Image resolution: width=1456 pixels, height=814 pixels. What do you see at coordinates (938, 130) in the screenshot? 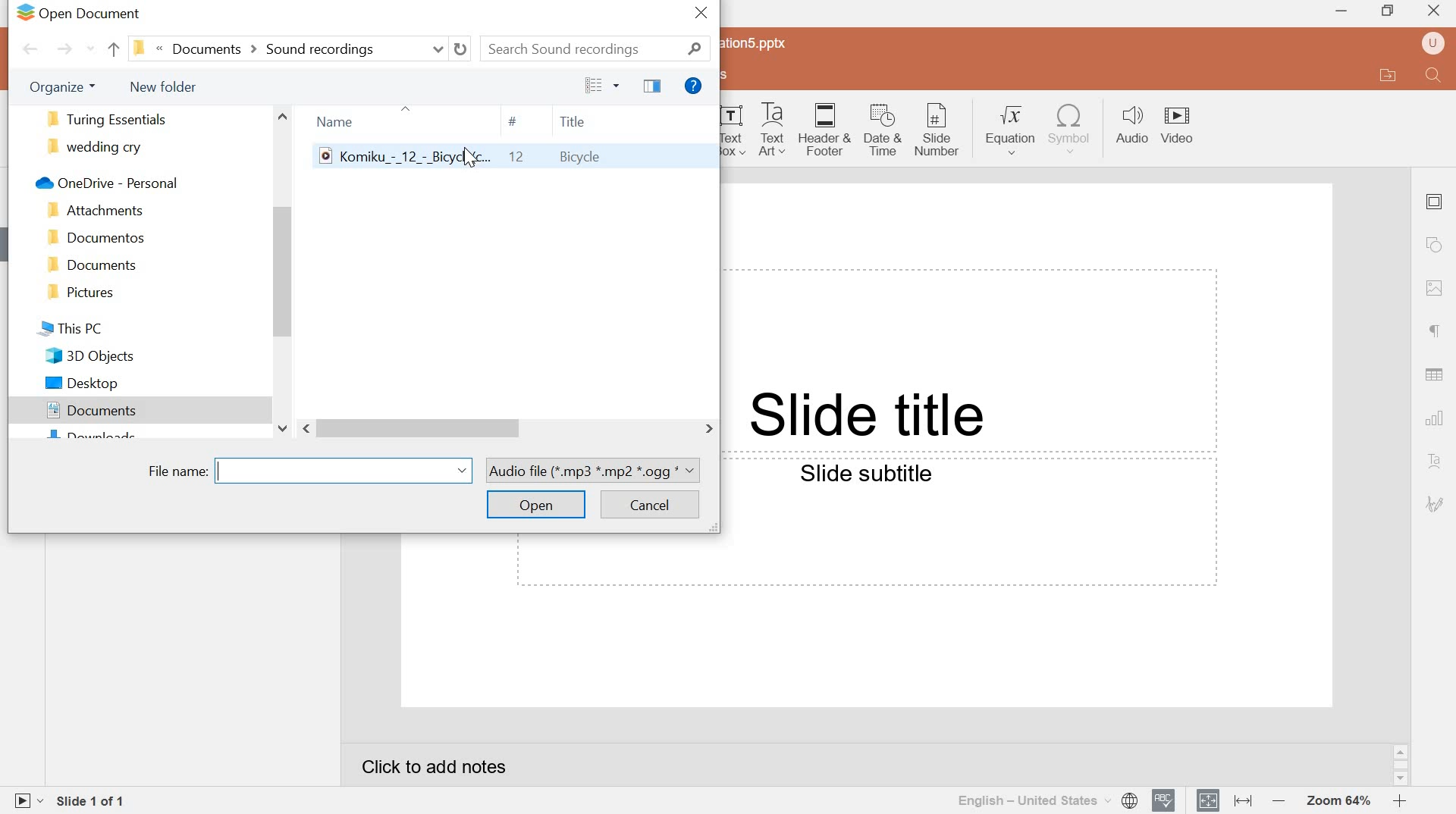
I see `Slide number` at bounding box center [938, 130].